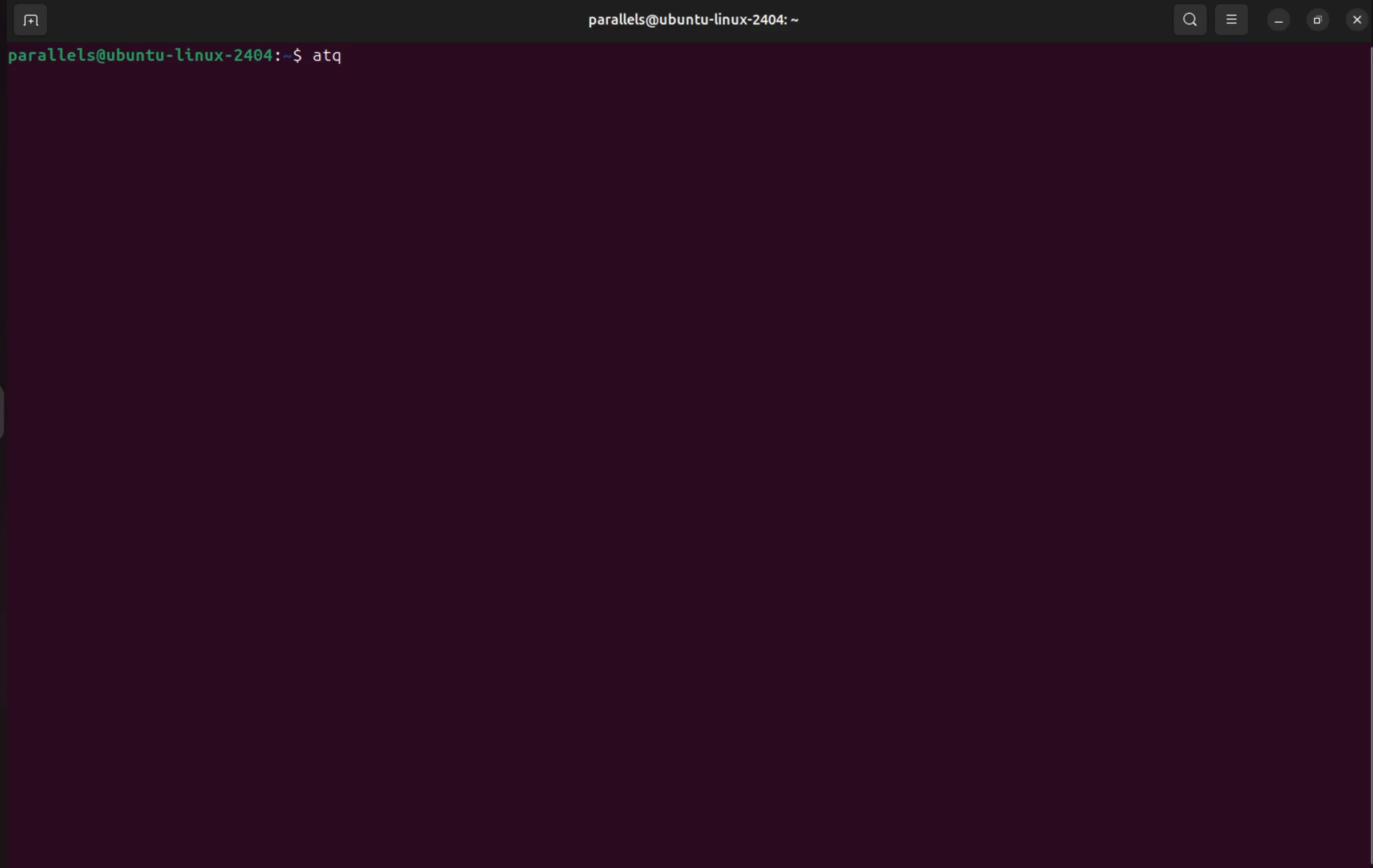 This screenshot has width=1373, height=868. I want to click on search bar, so click(1189, 19).